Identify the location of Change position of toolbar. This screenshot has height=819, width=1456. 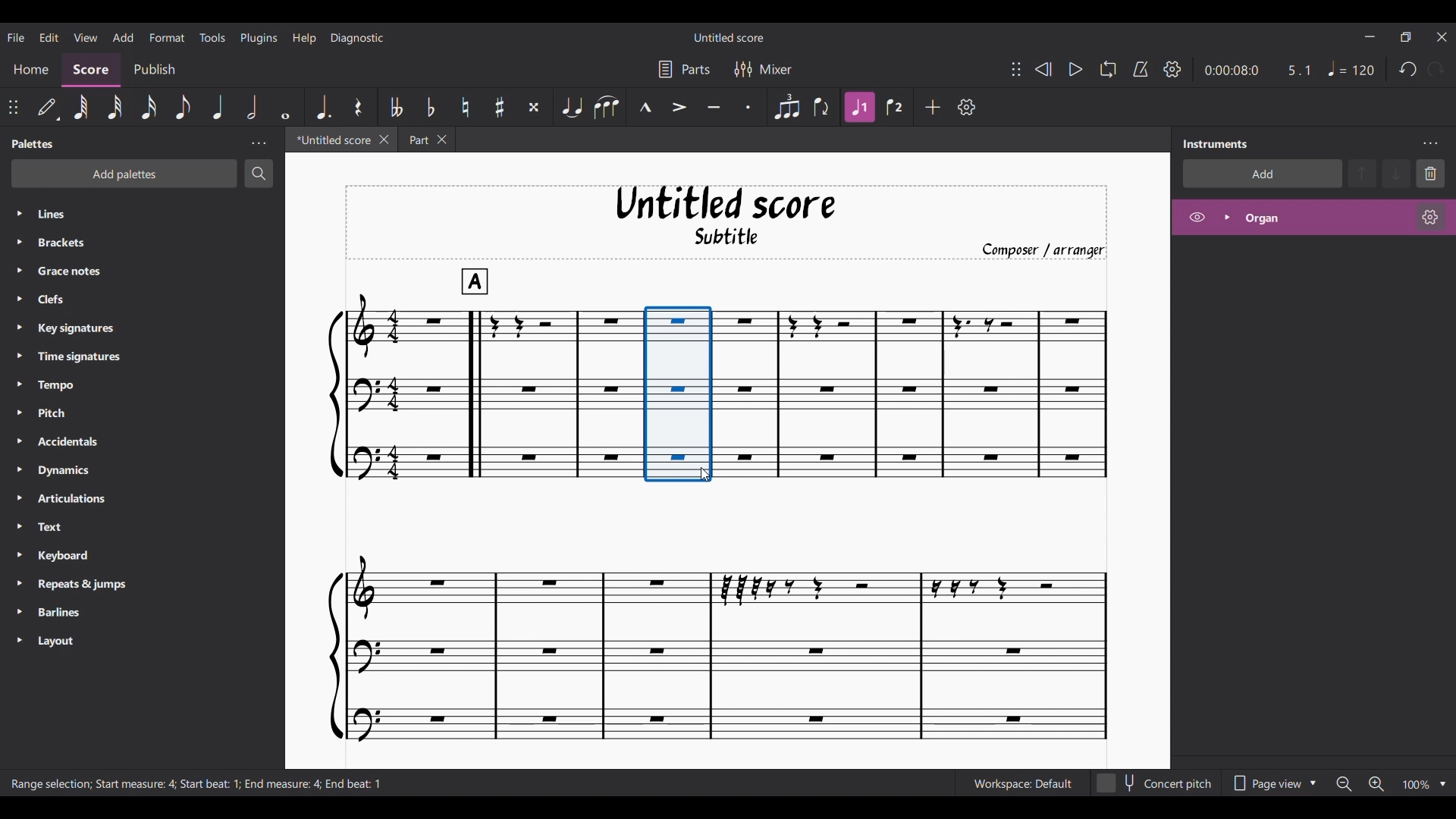
(1015, 69).